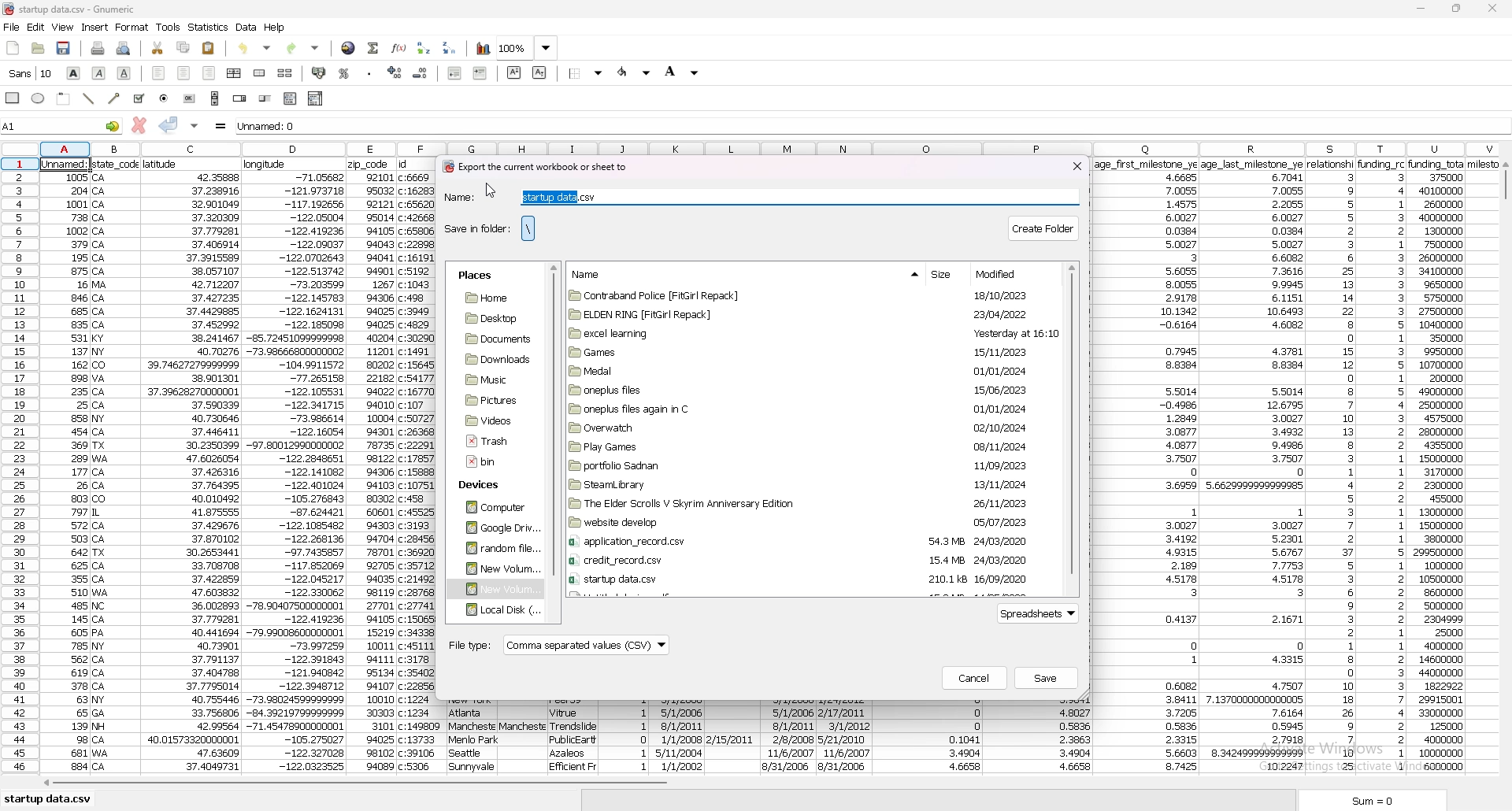  Describe the element at coordinates (554, 420) in the screenshot. I see `scroll bar` at that location.